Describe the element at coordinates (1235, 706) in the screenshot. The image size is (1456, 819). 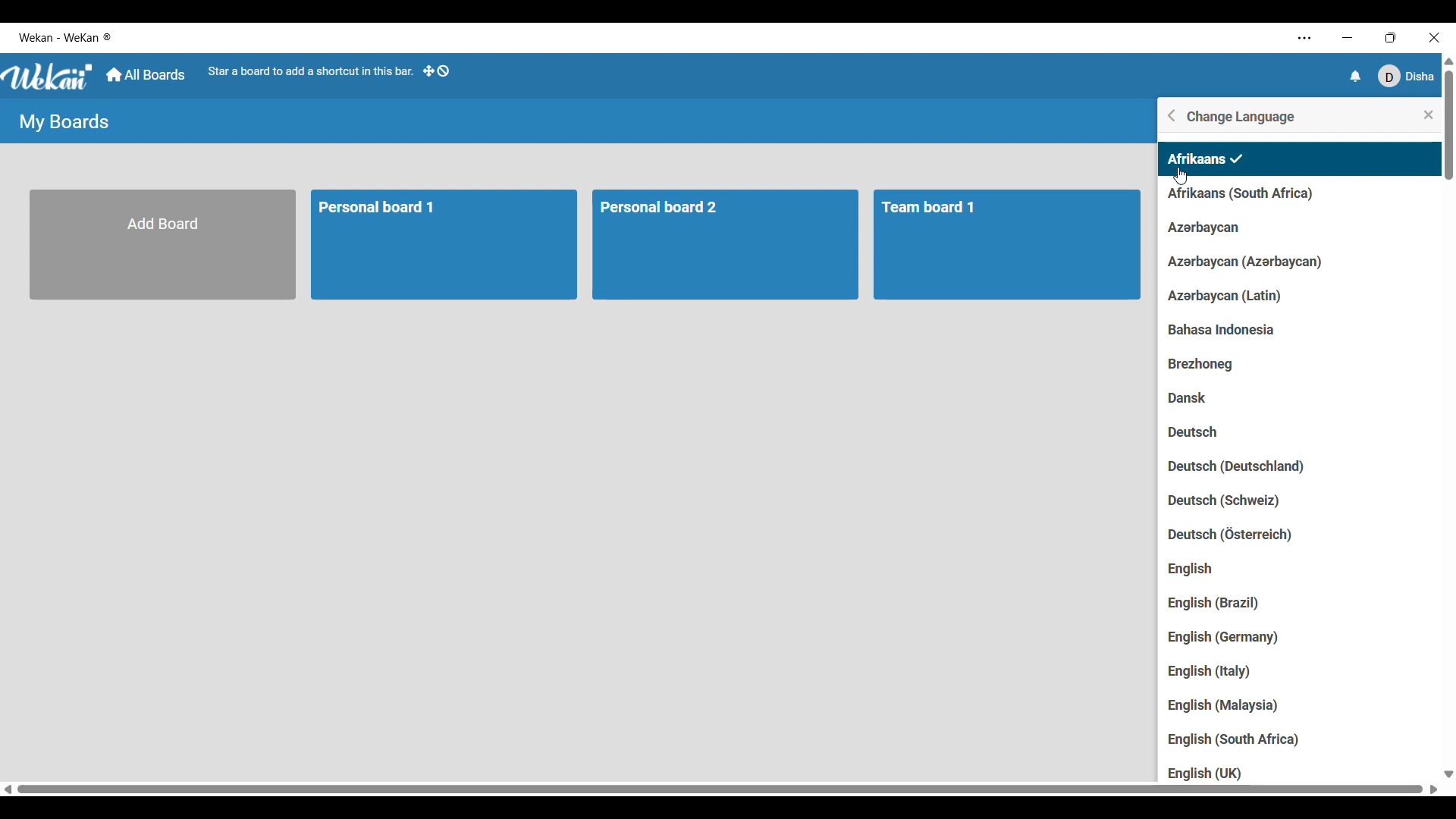
I see `English (Malaysia)` at that location.